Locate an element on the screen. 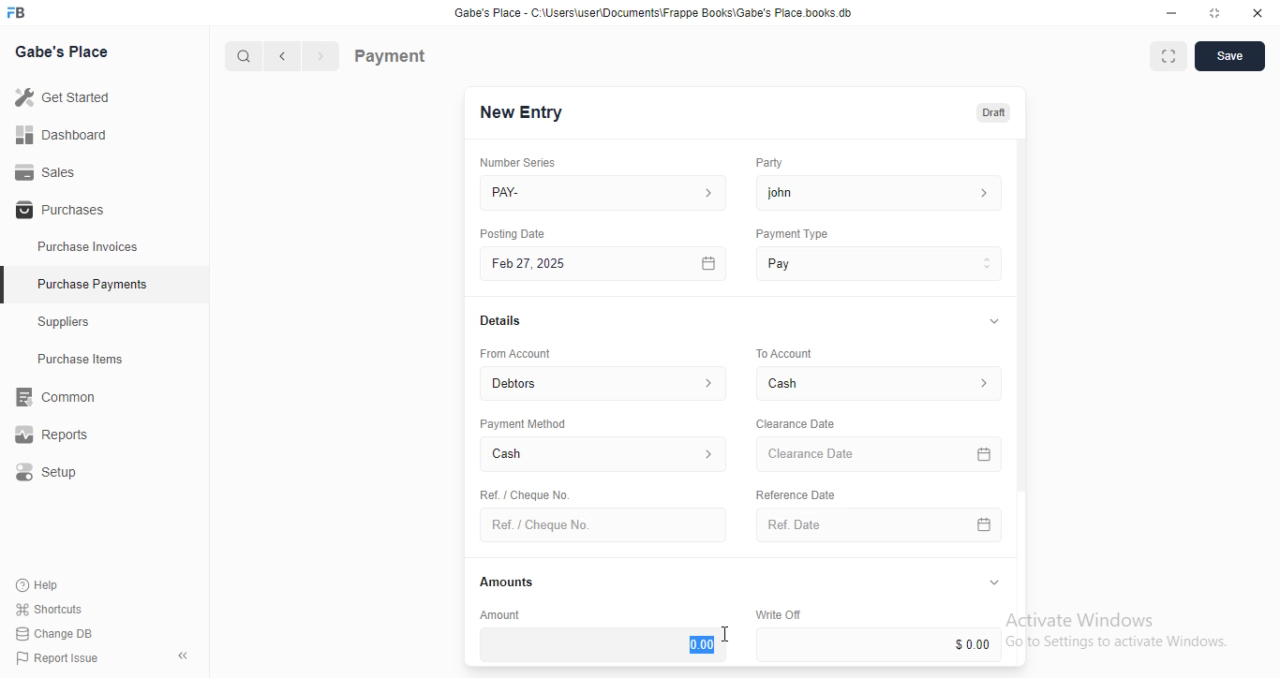 The image size is (1280, 678). Help is located at coordinates (40, 586).